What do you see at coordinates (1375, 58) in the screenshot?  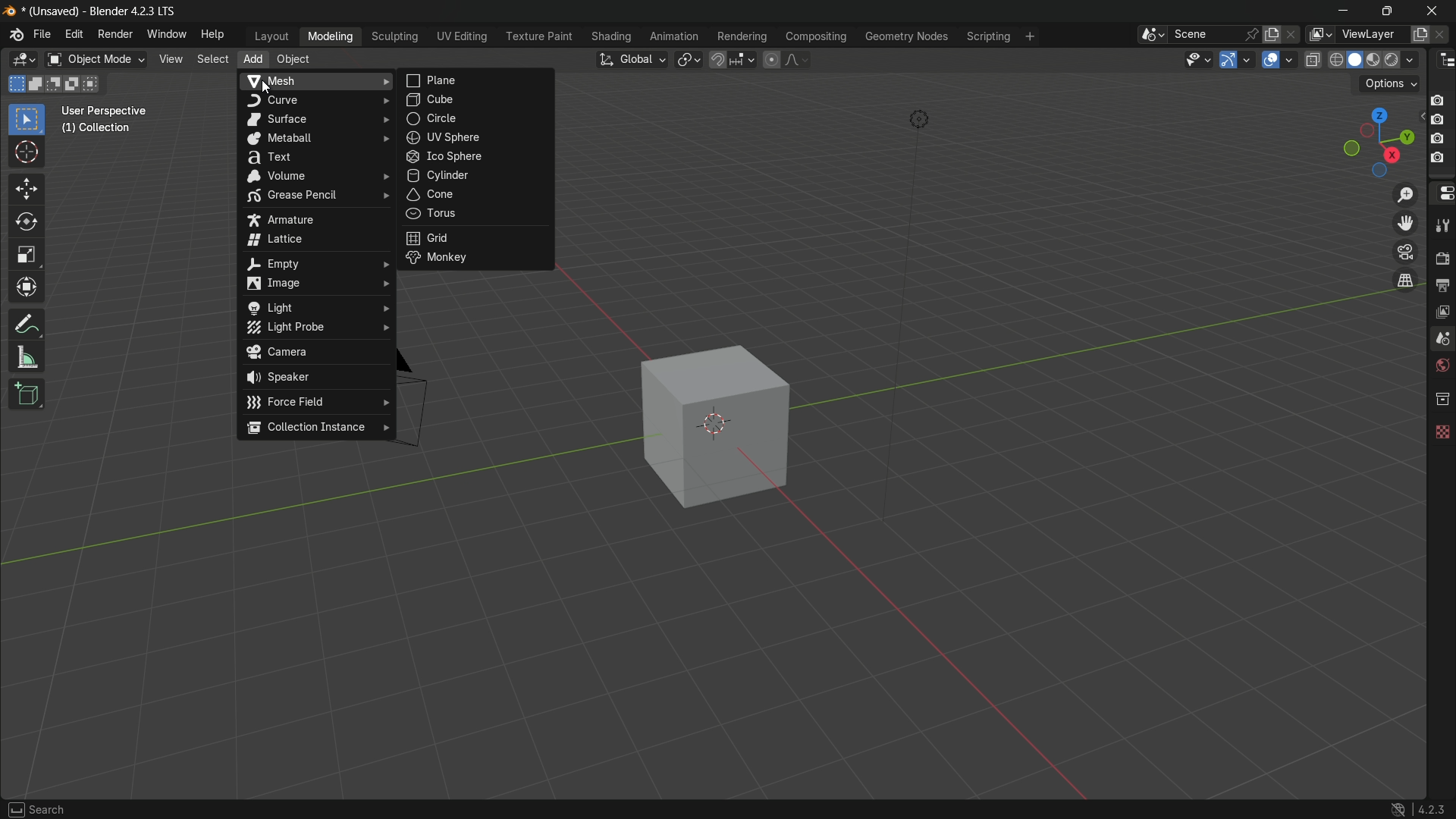 I see `material preview display` at bounding box center [1375, 58].